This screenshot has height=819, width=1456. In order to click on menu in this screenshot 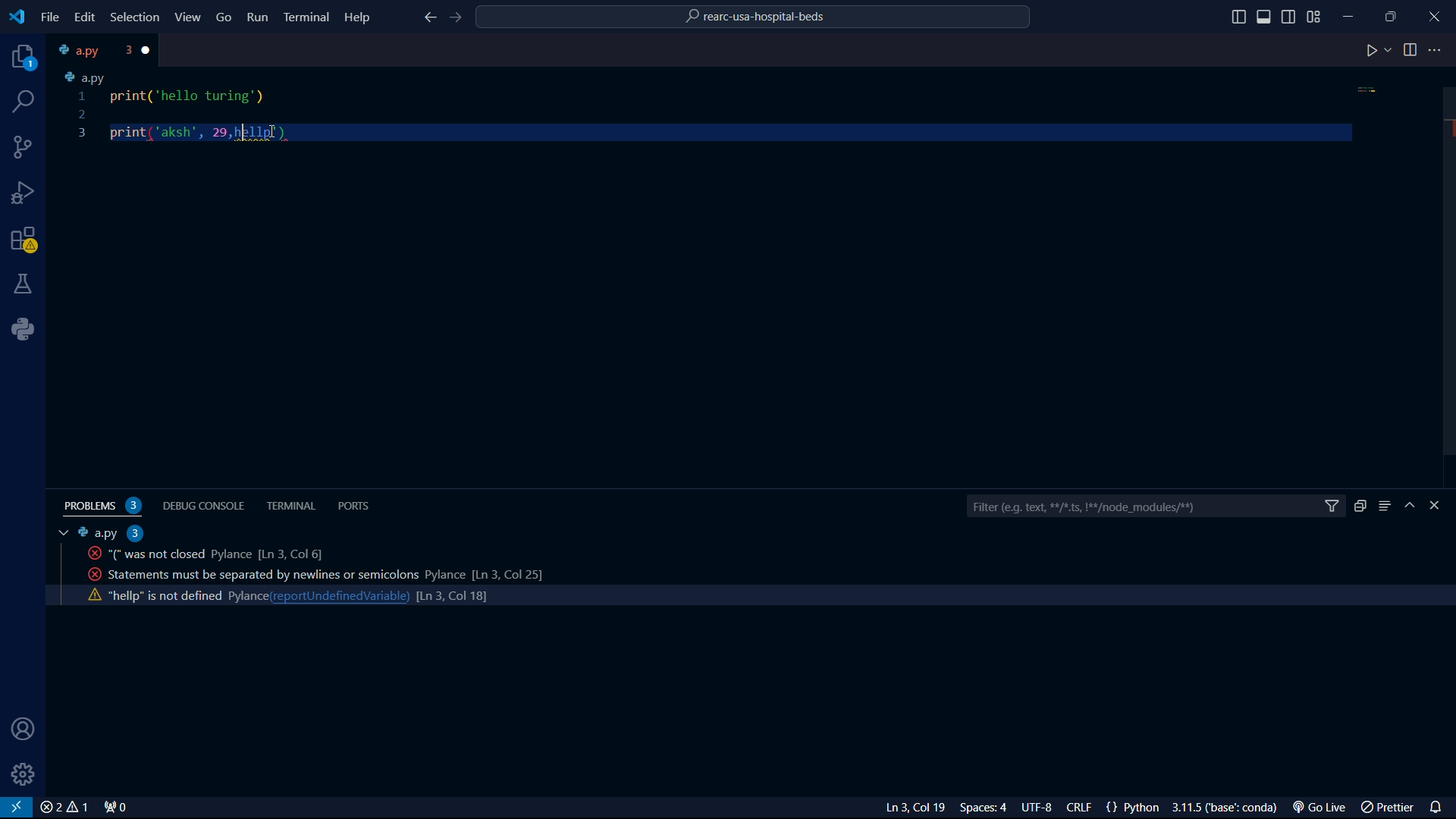, I will do `click(1385, 506)`.